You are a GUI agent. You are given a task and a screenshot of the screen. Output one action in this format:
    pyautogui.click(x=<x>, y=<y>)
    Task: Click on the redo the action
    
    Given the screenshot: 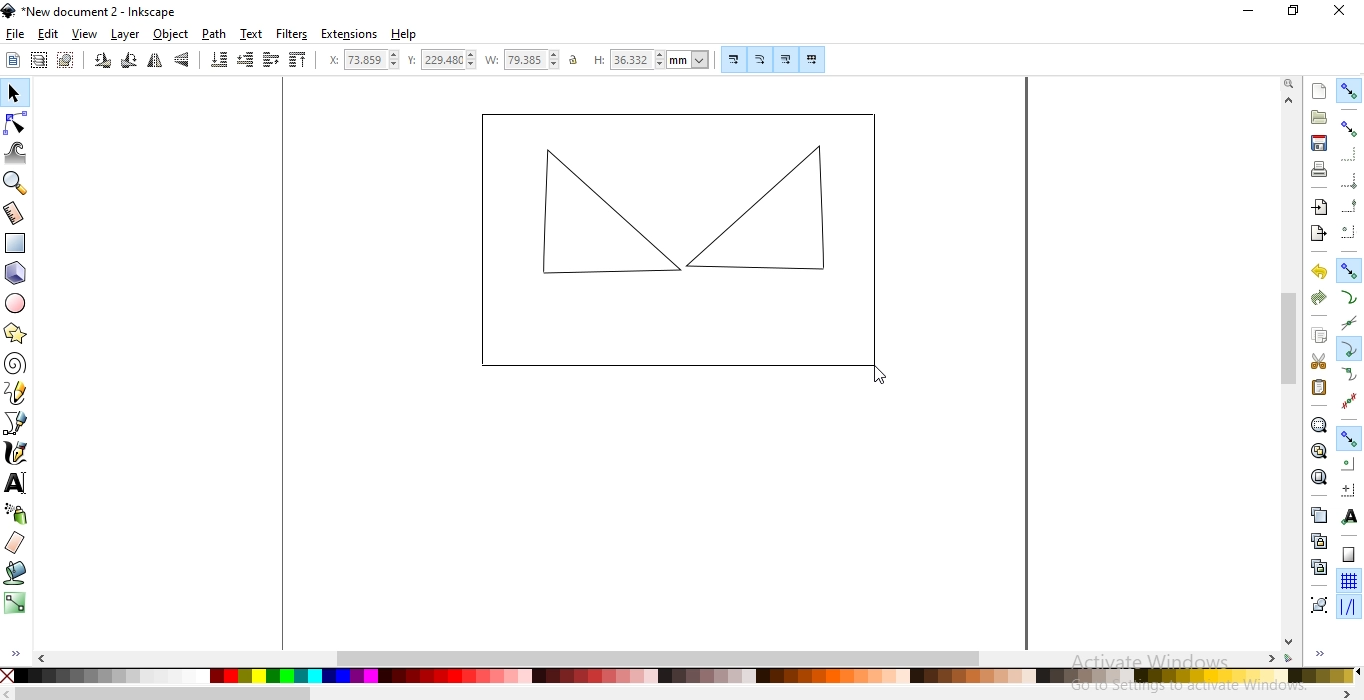 What is the action you would take?
    pyautogui.click(x=1320, y=297)
    